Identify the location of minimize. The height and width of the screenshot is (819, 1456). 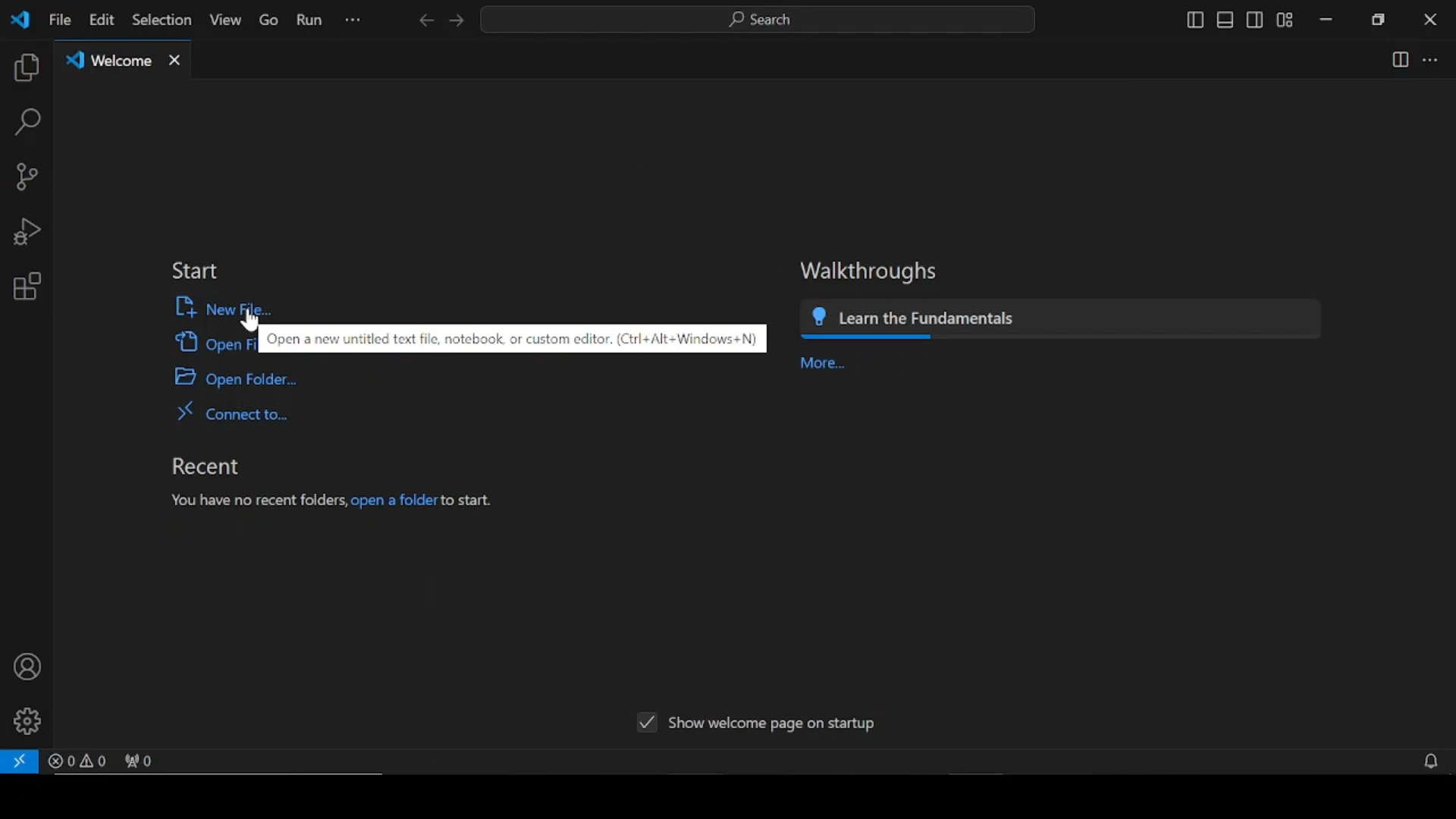
(1325, 20).